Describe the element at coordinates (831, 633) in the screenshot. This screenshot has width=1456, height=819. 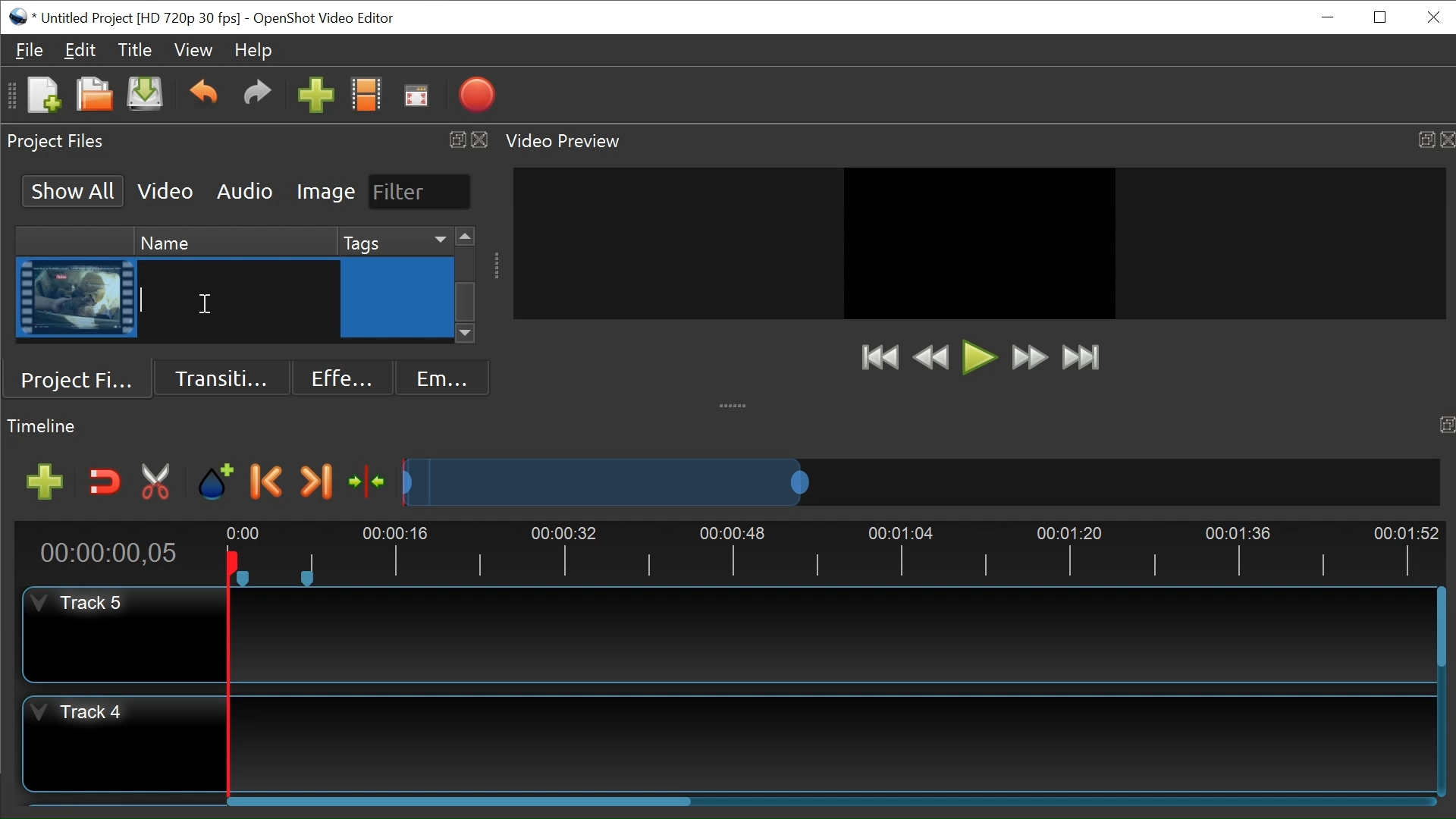
I see `Track Panel` at that location.